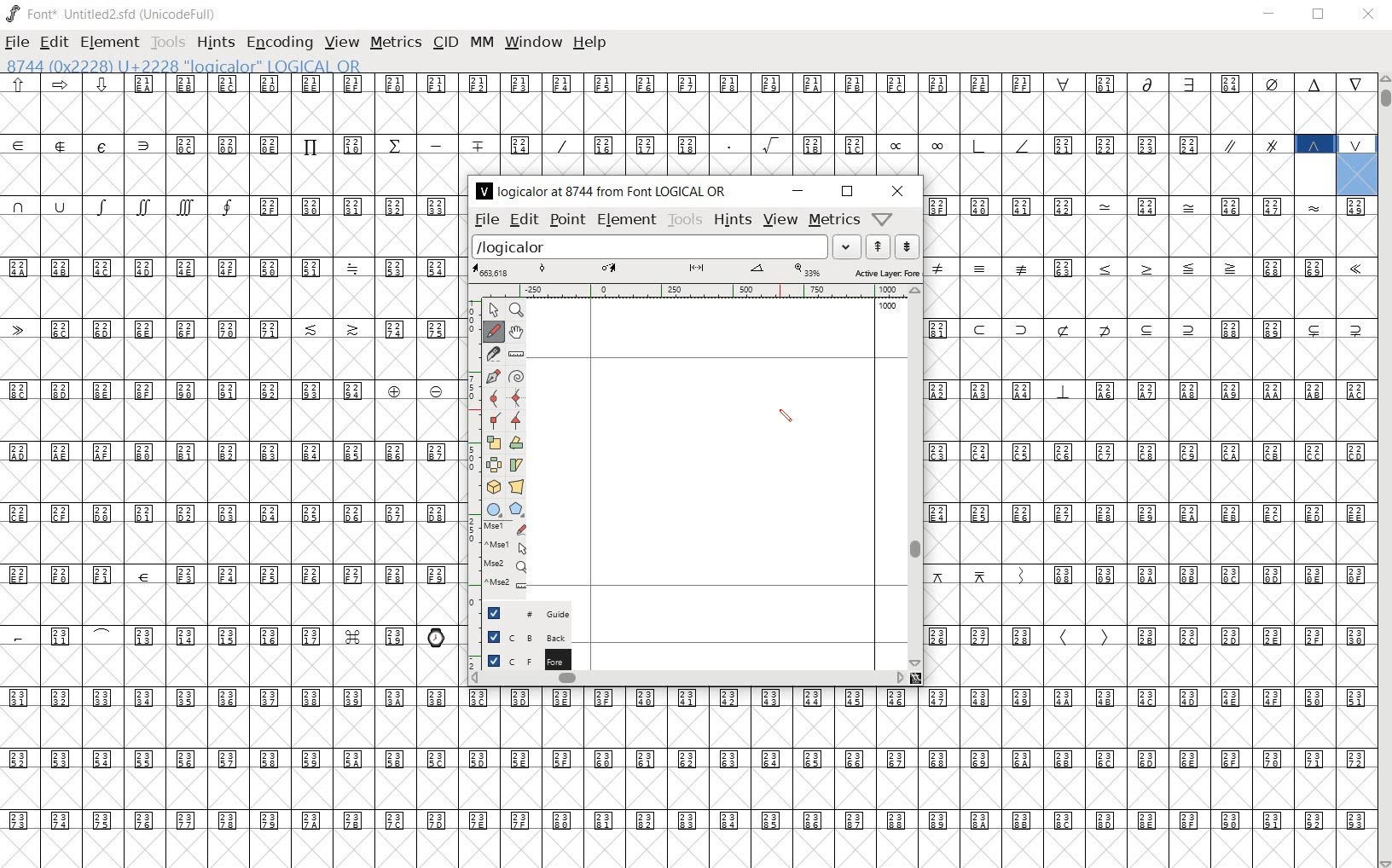 This screenshot has width=1392, height=868. I want to click on add a curve point always either horizontal or vertical, so click(514, 397).